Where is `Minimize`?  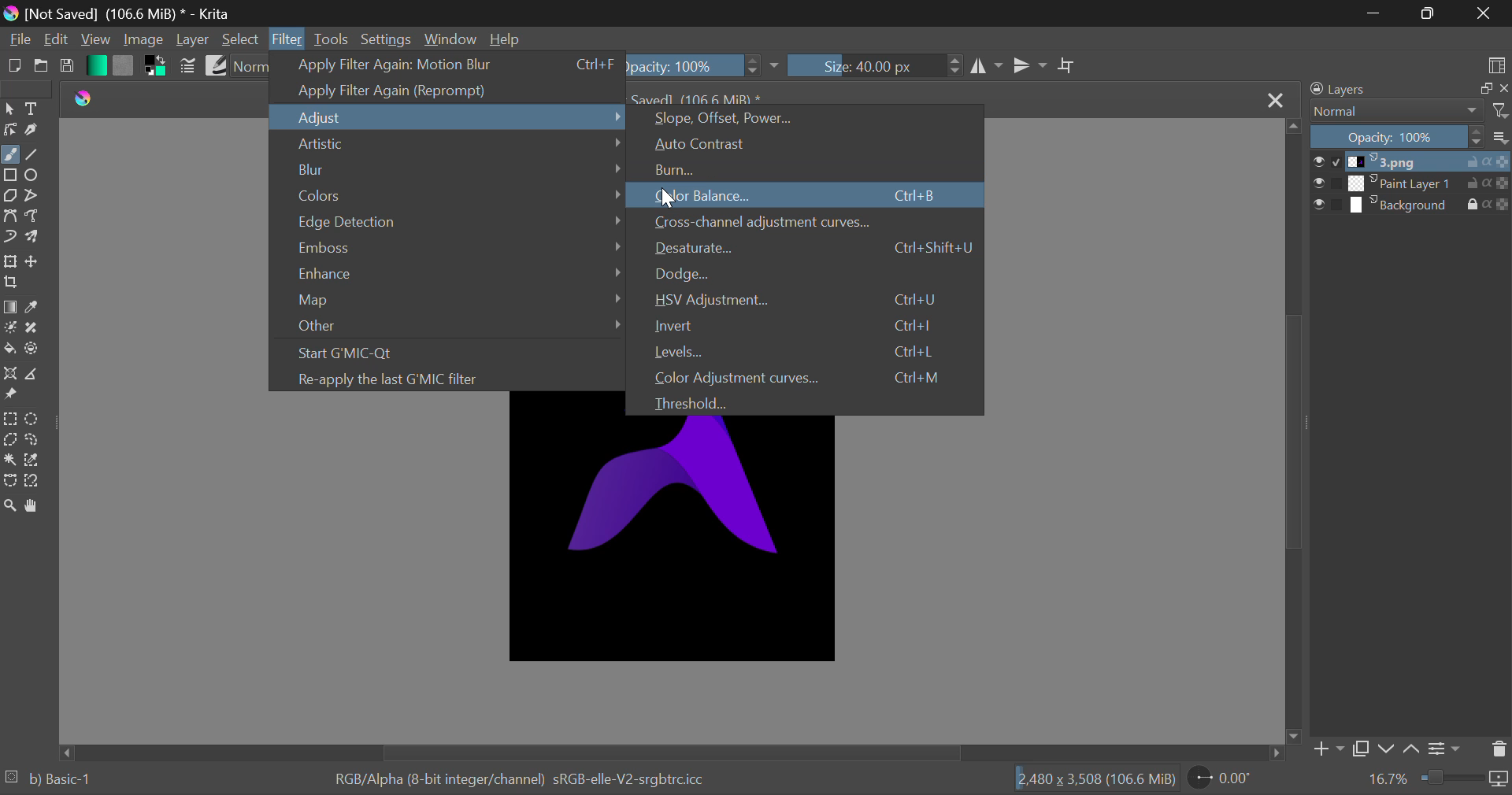
Minimize is located at coordinates (1426, 13).